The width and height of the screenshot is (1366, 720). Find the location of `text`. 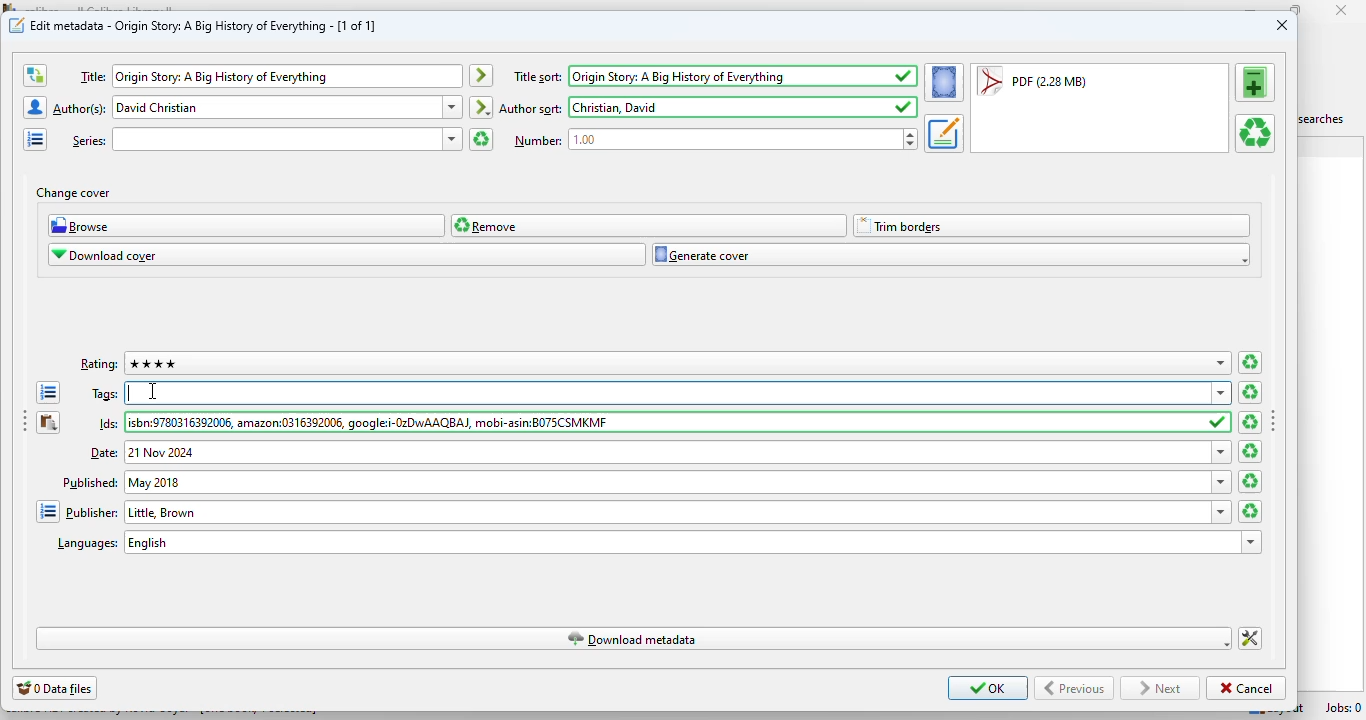

text is located at coordinates (106, 395).